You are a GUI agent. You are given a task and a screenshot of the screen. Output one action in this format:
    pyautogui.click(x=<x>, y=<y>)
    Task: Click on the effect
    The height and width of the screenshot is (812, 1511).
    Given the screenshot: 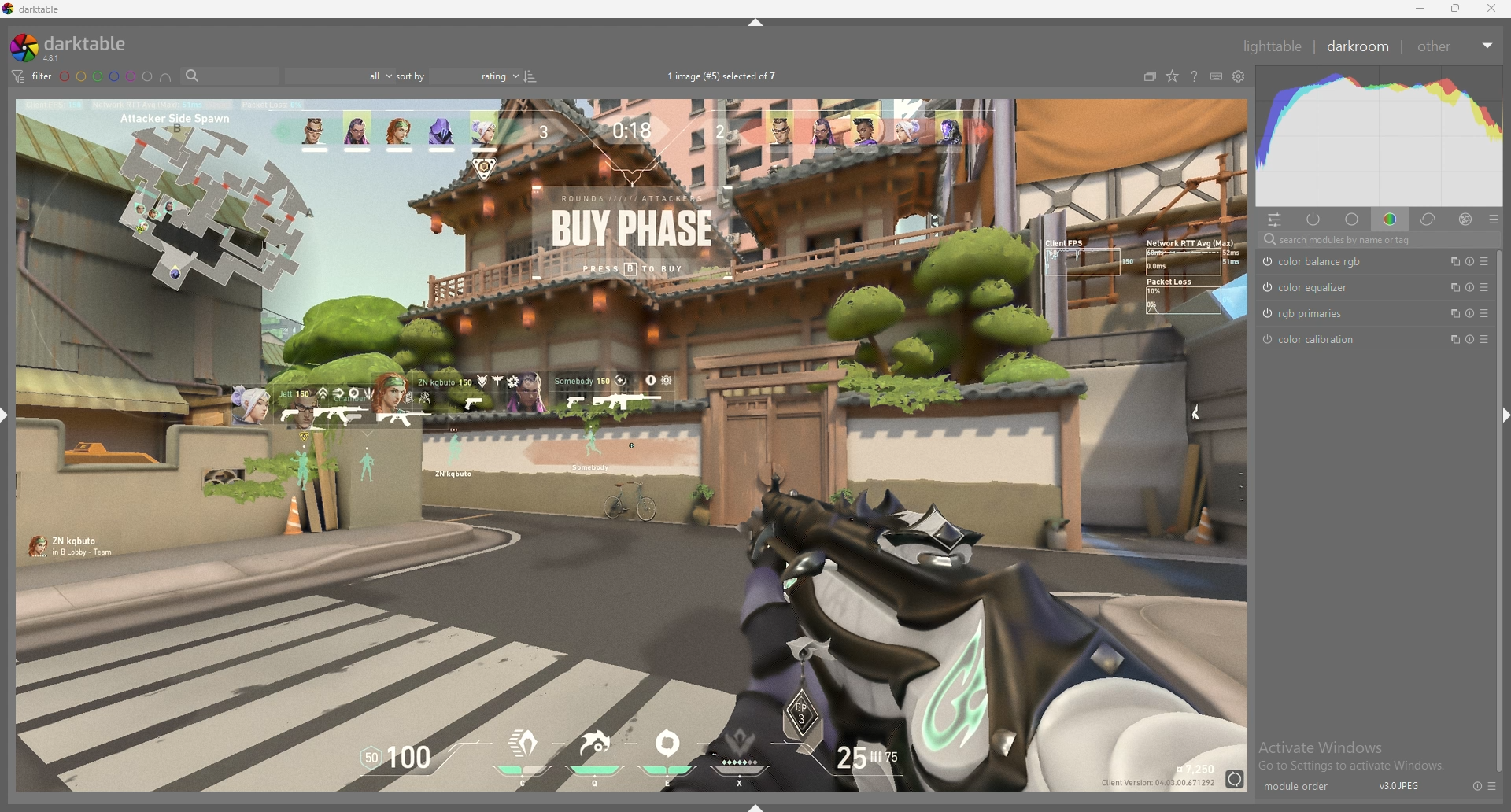 What is the action you would take?
    pyautogui.click(x=1465, y=220)
    